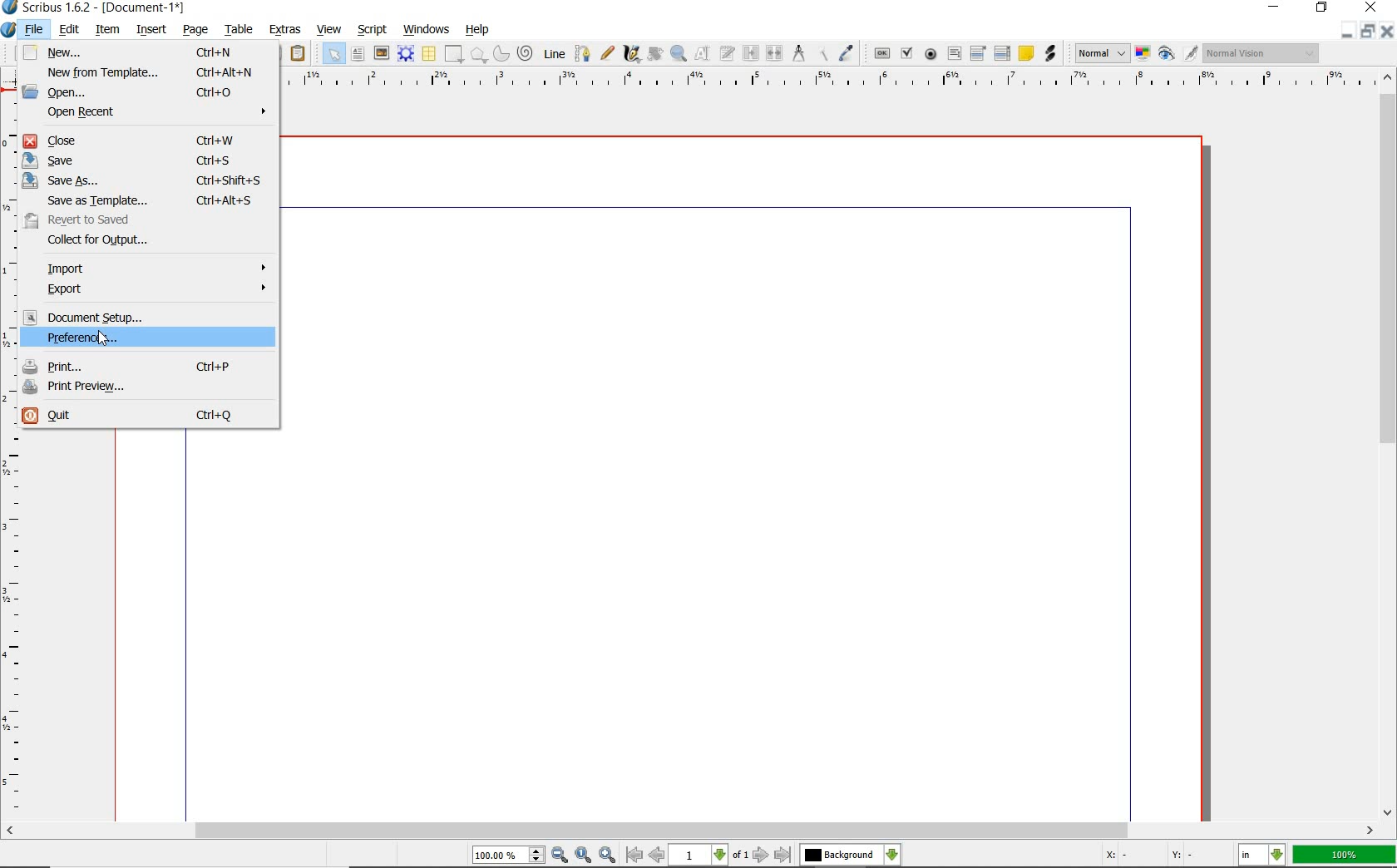 Image resolution: width=1397 pixels, height=868 pixels. Describe the element at coordinates (748, 55) in the screenshot. I see `link text frames` at that location.